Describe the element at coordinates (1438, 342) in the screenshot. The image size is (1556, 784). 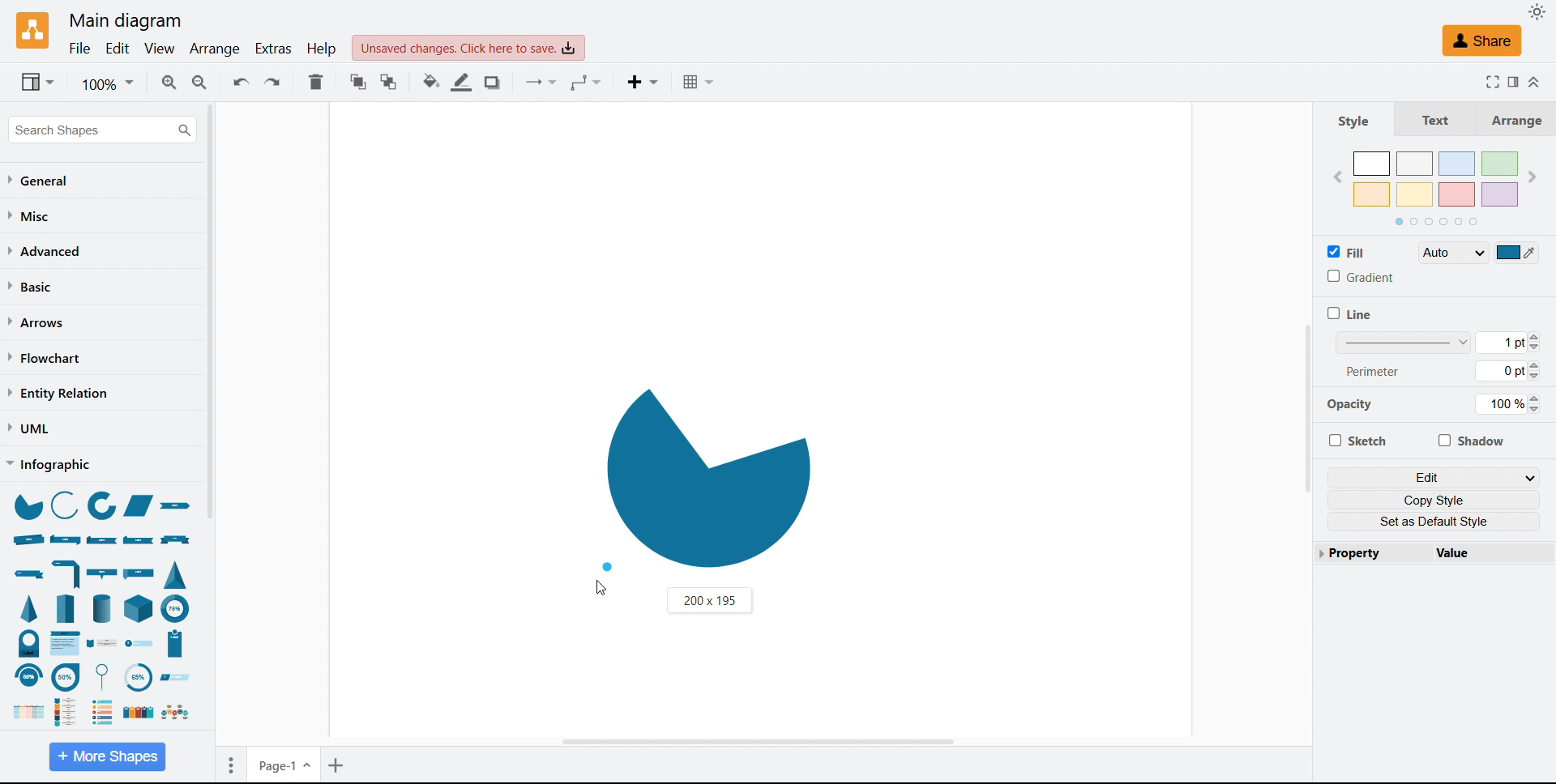
I see `Set line width ` at that location.